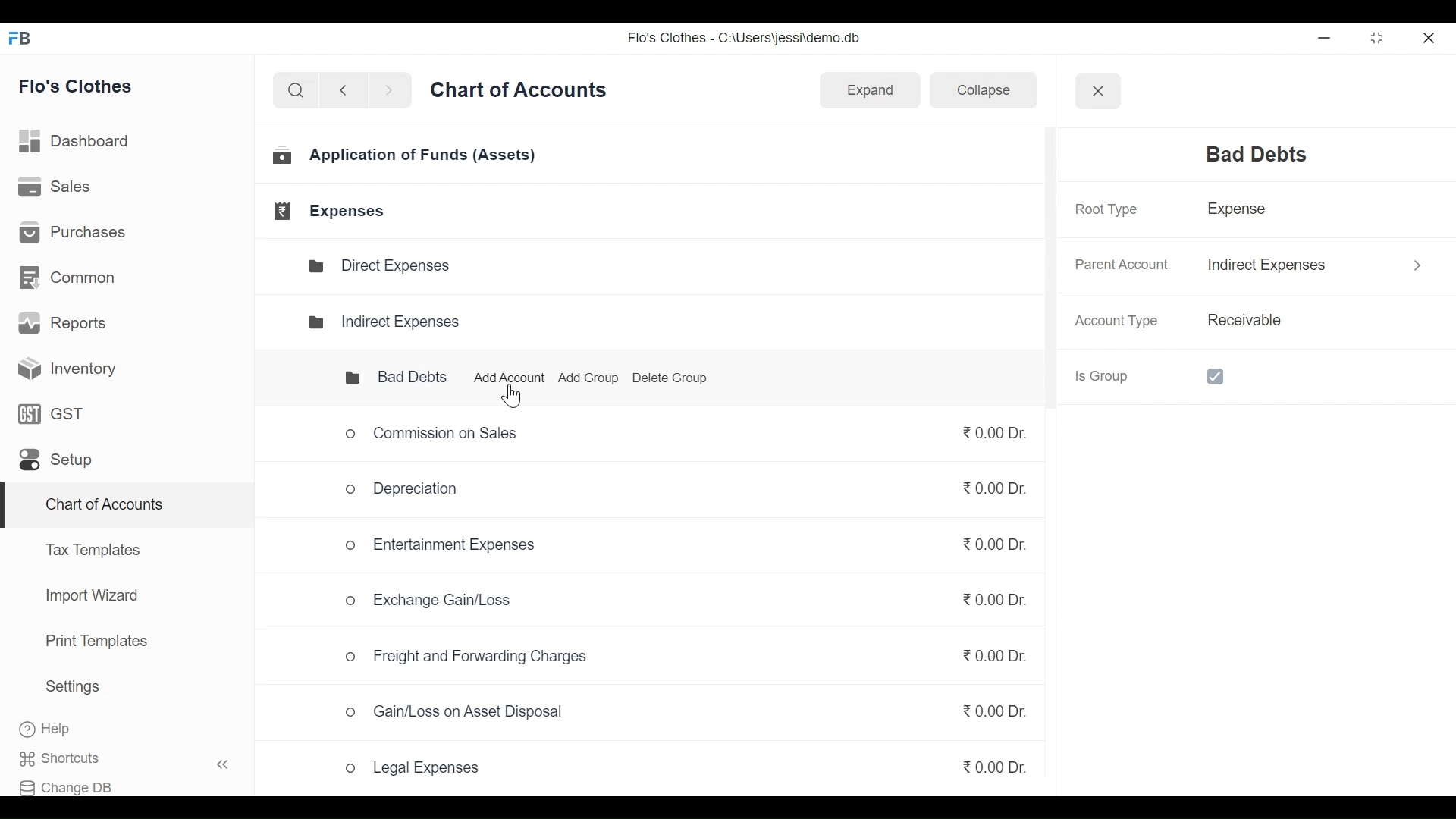 The image size is (1456, 819). What do you see at coordinates (454, 715) in the screenshot?
I see `Gain/Loss on Asset Disposal` at bounding box center [454, 715].